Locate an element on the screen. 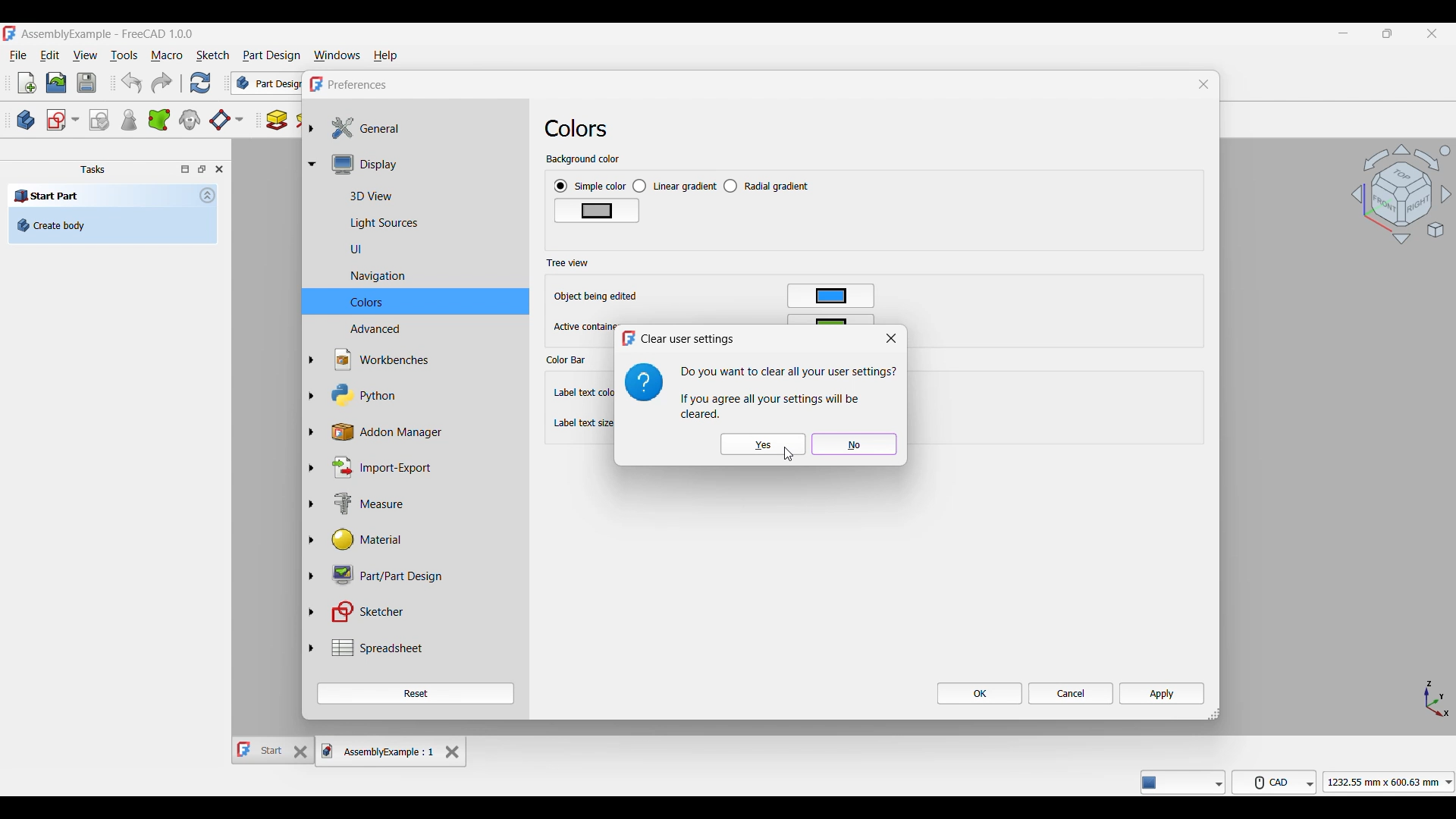 This screenshot has width=1456, height=819. Display settings is located at coordinates (359, 165).